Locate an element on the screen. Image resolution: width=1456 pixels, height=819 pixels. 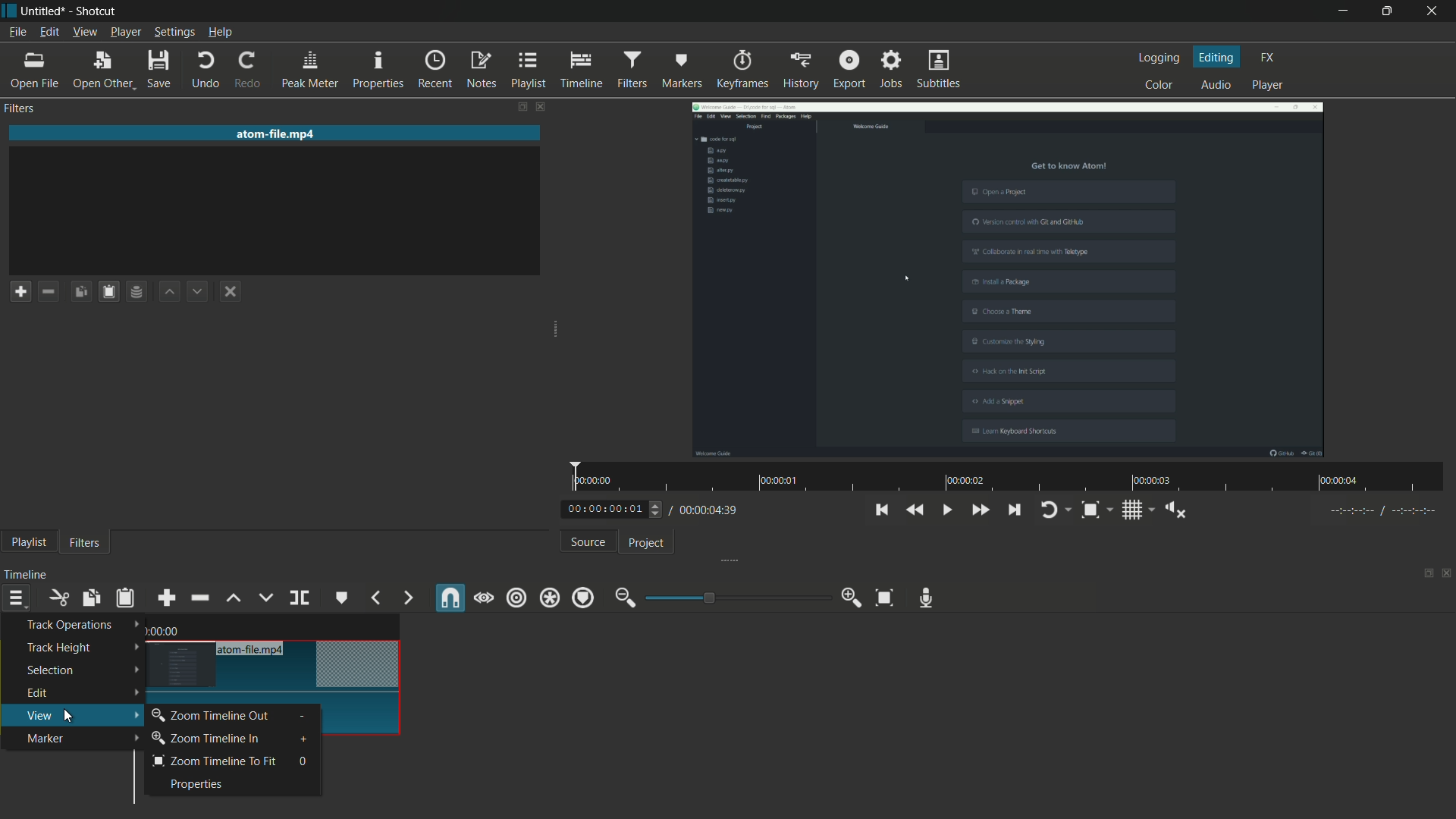
zoom timeline to fit is located at coordinates (884, 598).